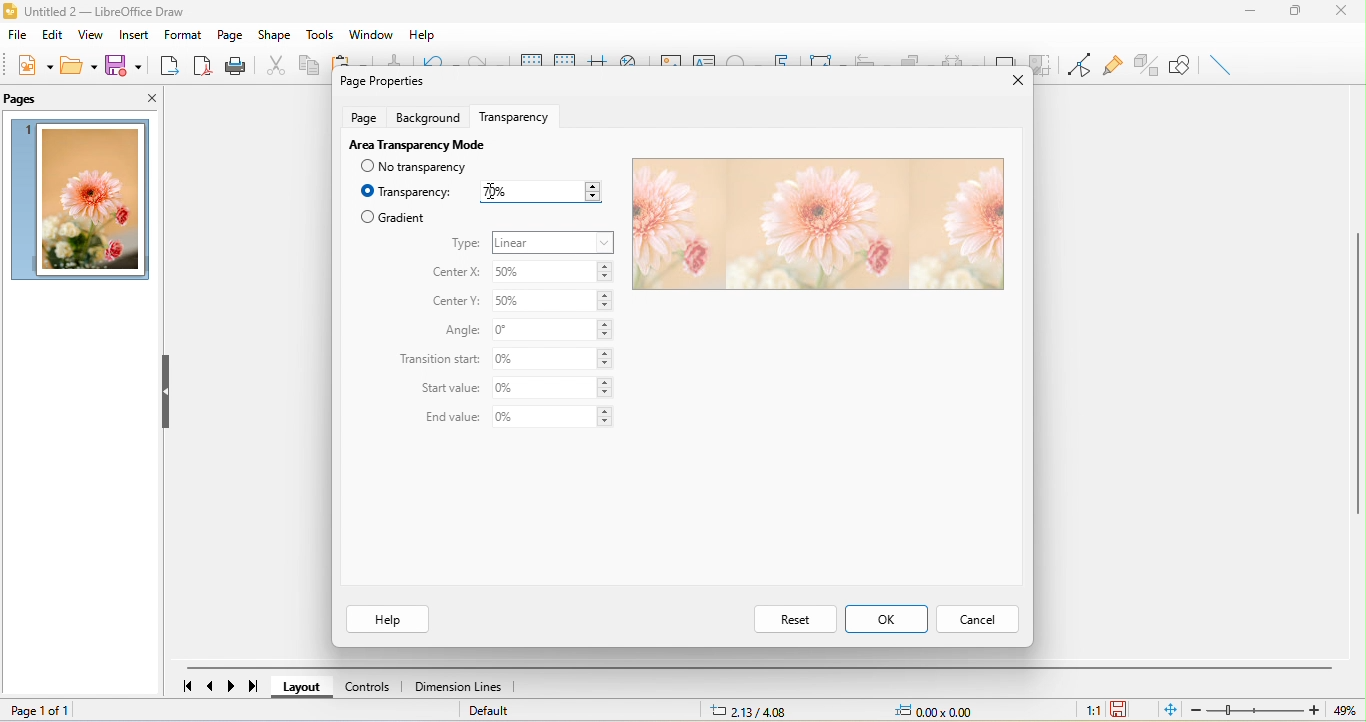  What do you see at coordinates (1076, 65) in the screenshot?
I see `toggle point edit mode` at bounding box center [1076, 65].